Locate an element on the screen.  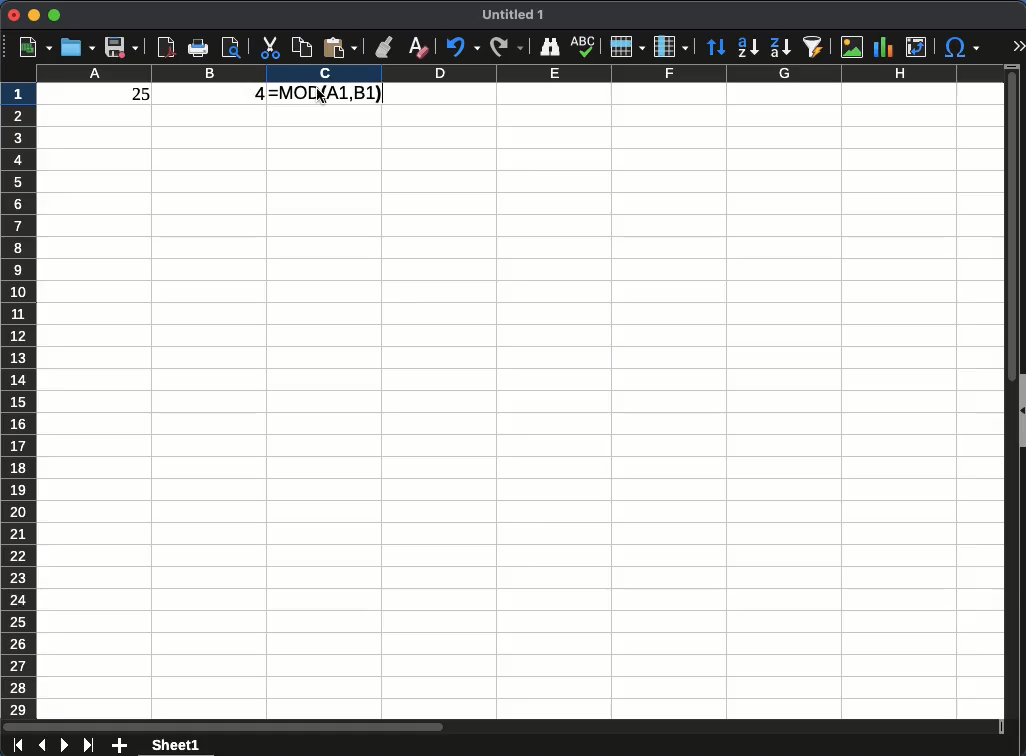
image is located at coordinates (852, 48).